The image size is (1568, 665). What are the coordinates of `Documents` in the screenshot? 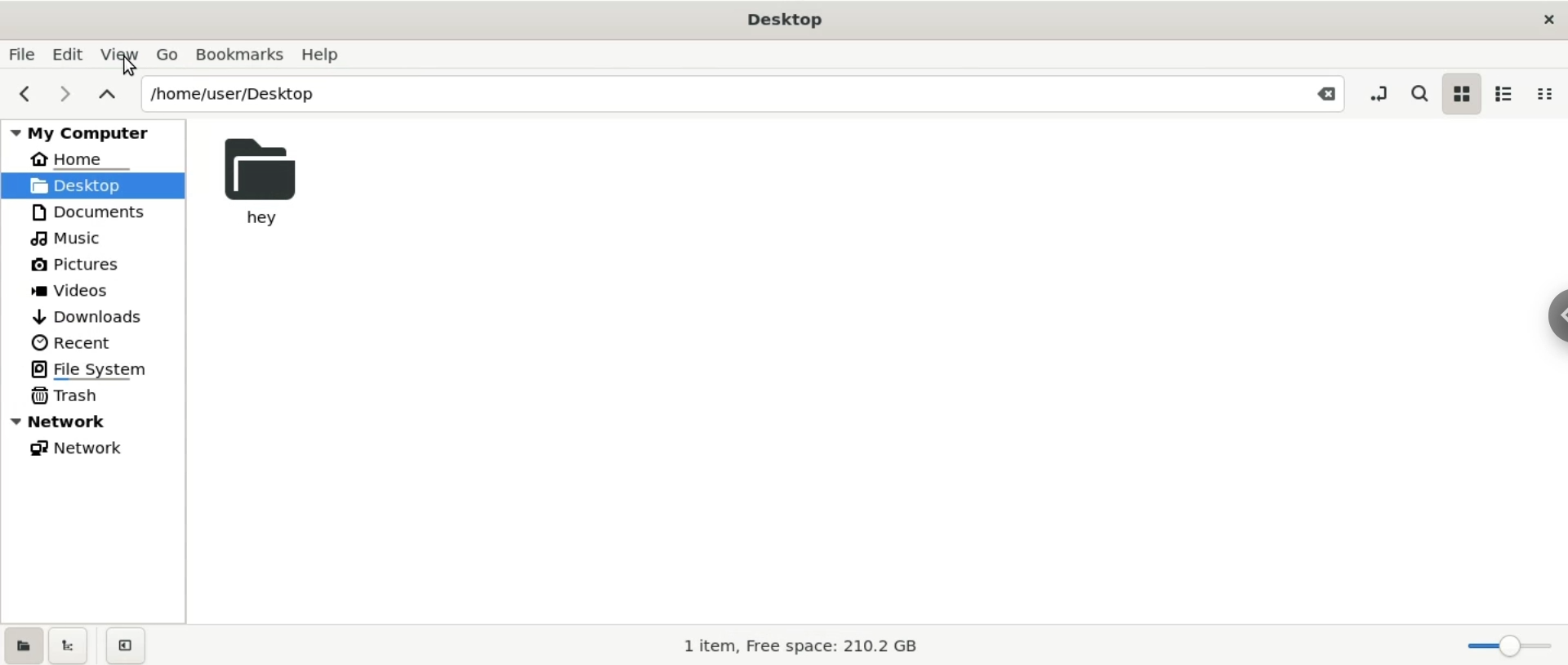 It's located at (96, 211).